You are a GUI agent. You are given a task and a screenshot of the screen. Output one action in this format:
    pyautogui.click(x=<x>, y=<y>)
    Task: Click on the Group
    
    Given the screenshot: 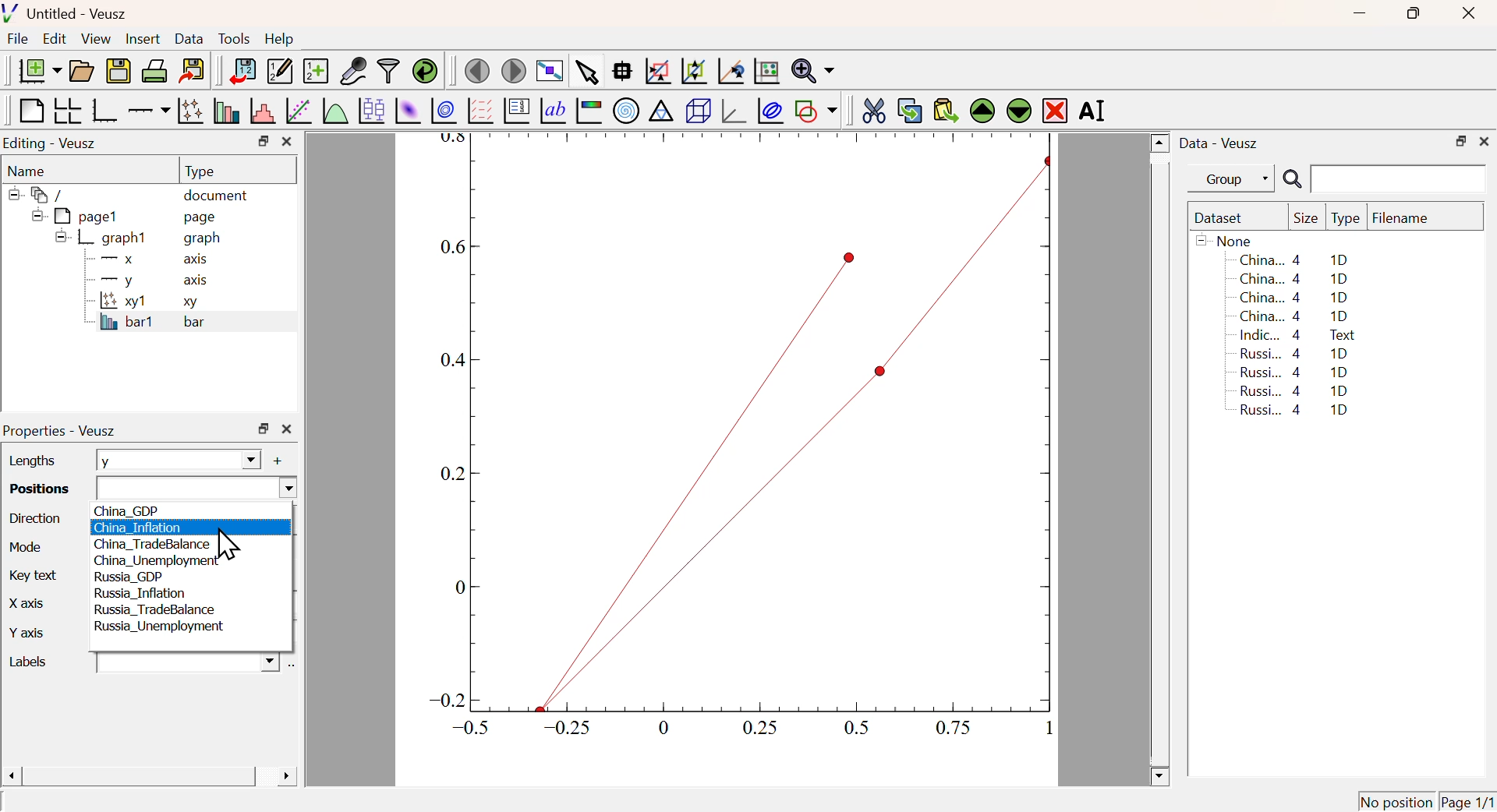 What is the action you would take?
    pyautogui.click(x=1236, y=180)
    